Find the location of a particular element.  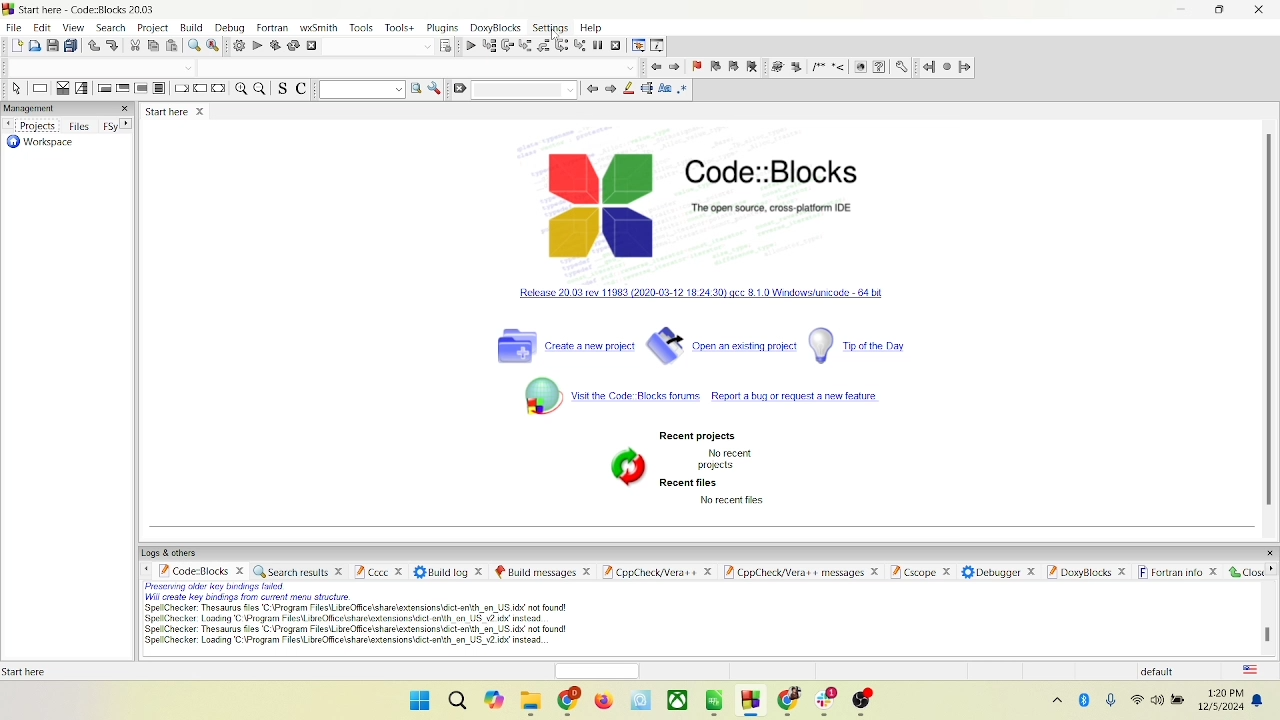

text is located at coordinates (28, 670).